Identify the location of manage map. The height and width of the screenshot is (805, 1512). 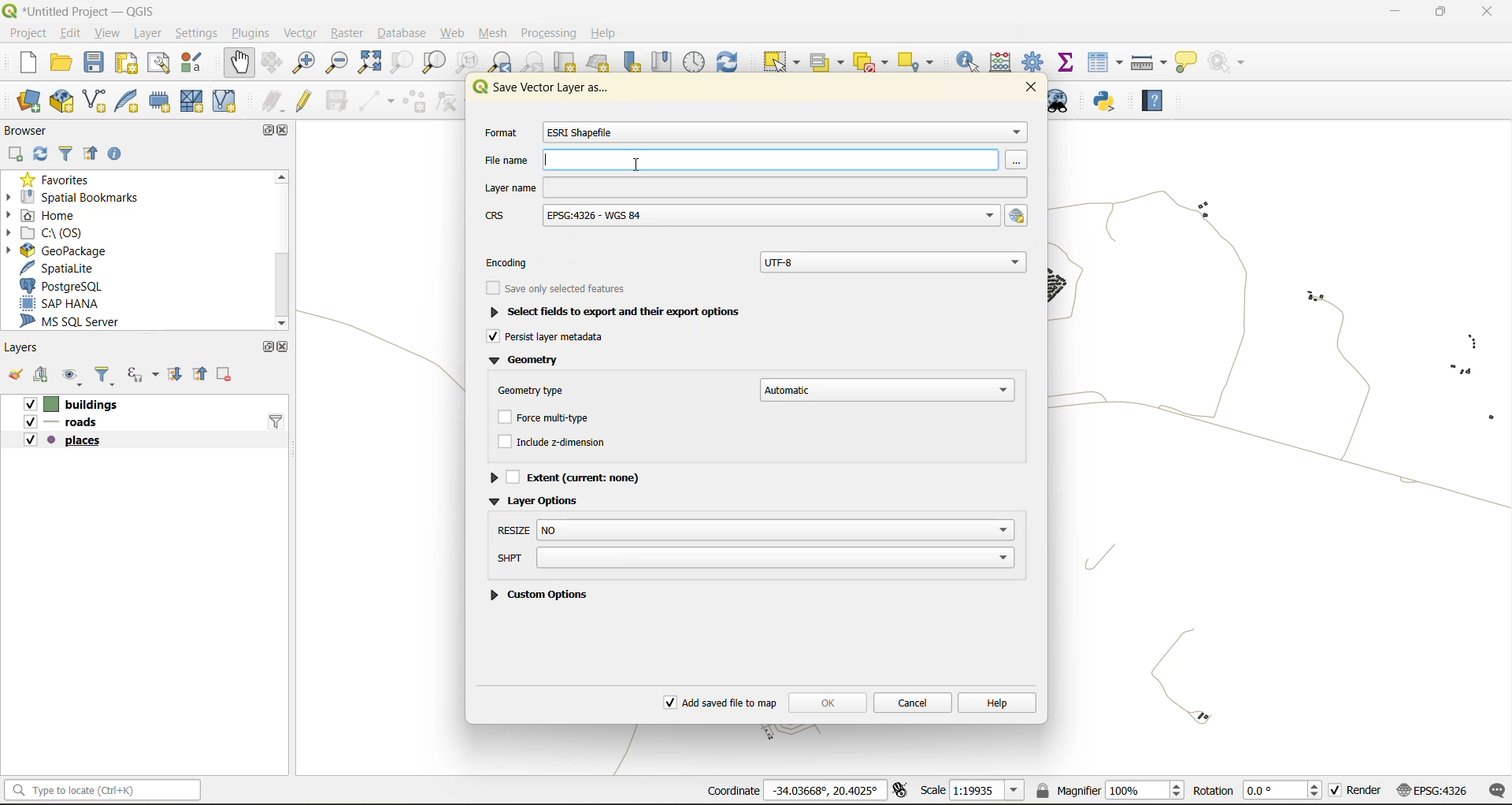
(70, 375).